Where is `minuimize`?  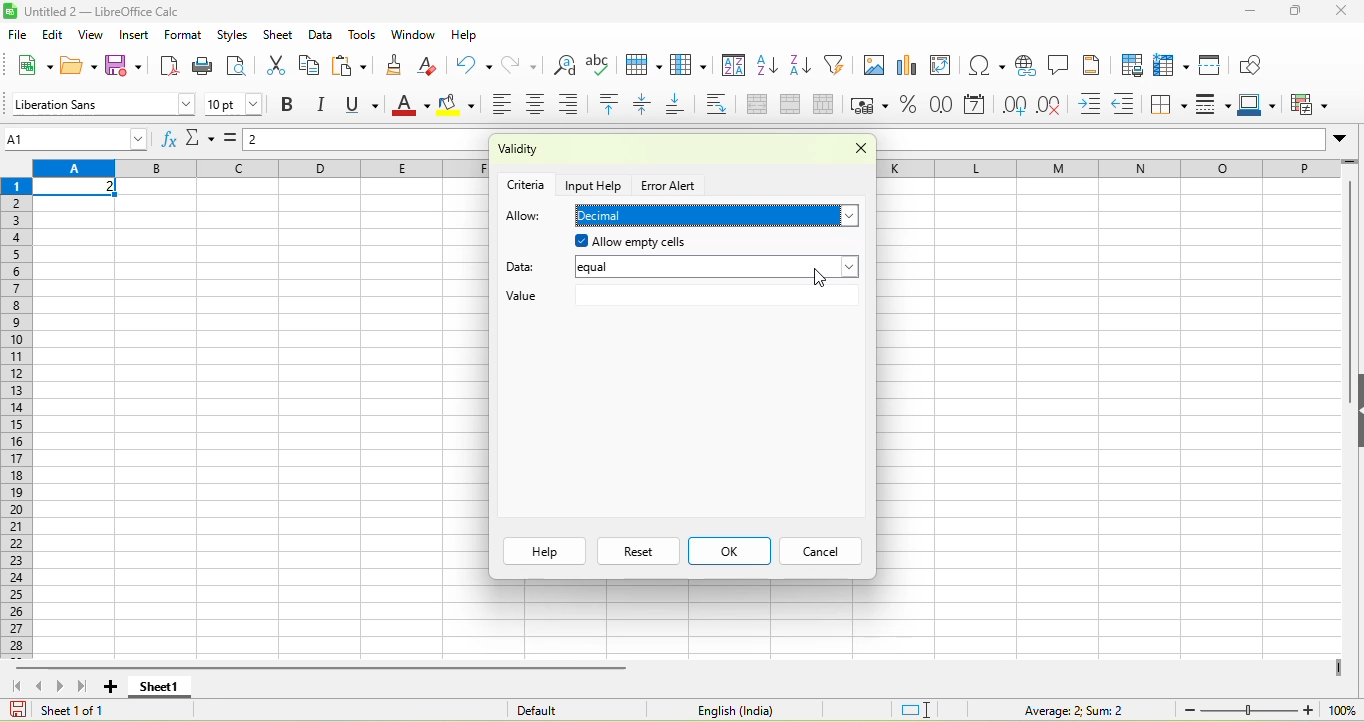
minuimize is located at coordinates (1249, 12).